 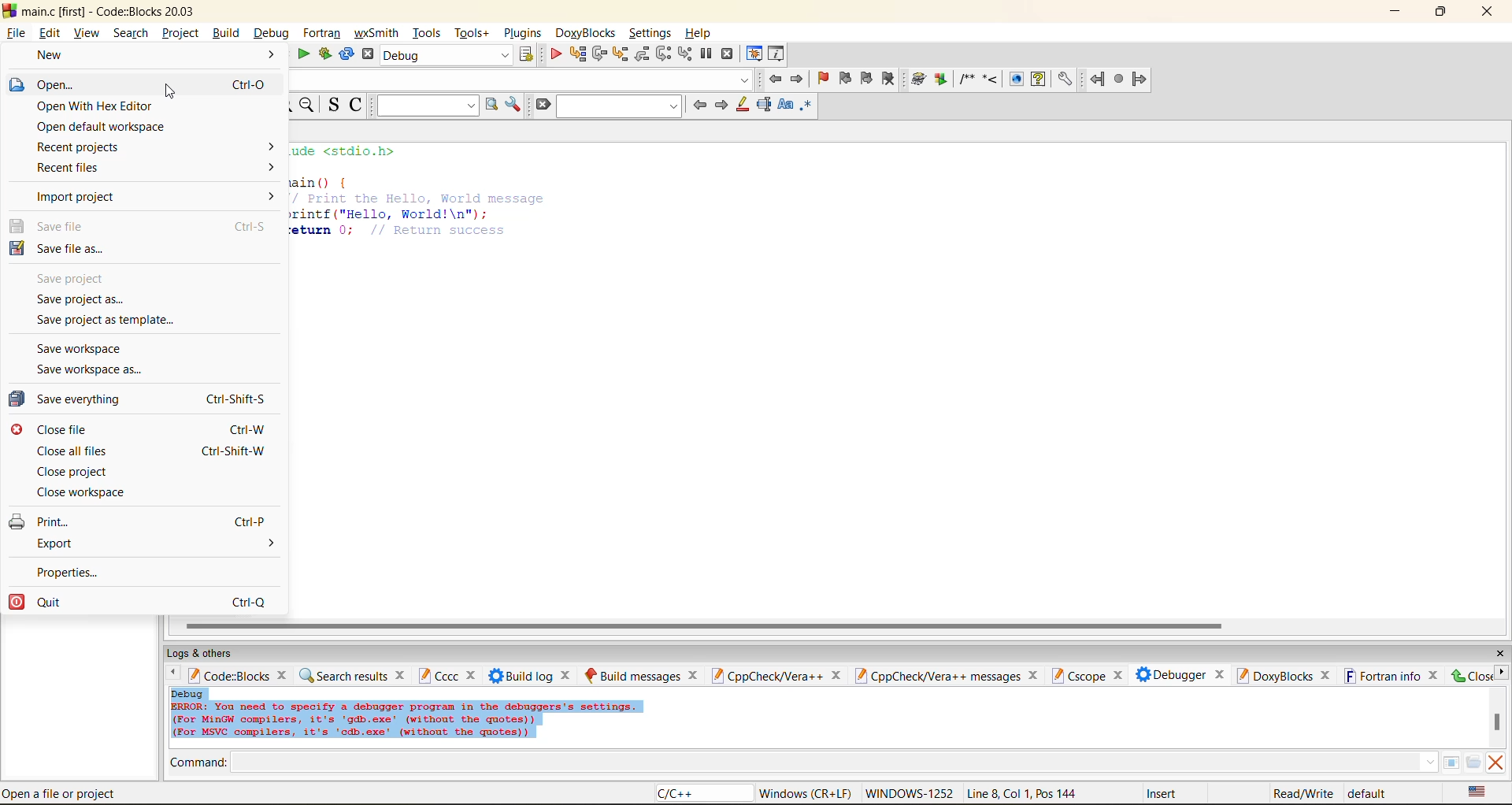 What do you see at coordinates (153, 399) in the screenshot?
I see `save everything` at bounding box center [153, 399].